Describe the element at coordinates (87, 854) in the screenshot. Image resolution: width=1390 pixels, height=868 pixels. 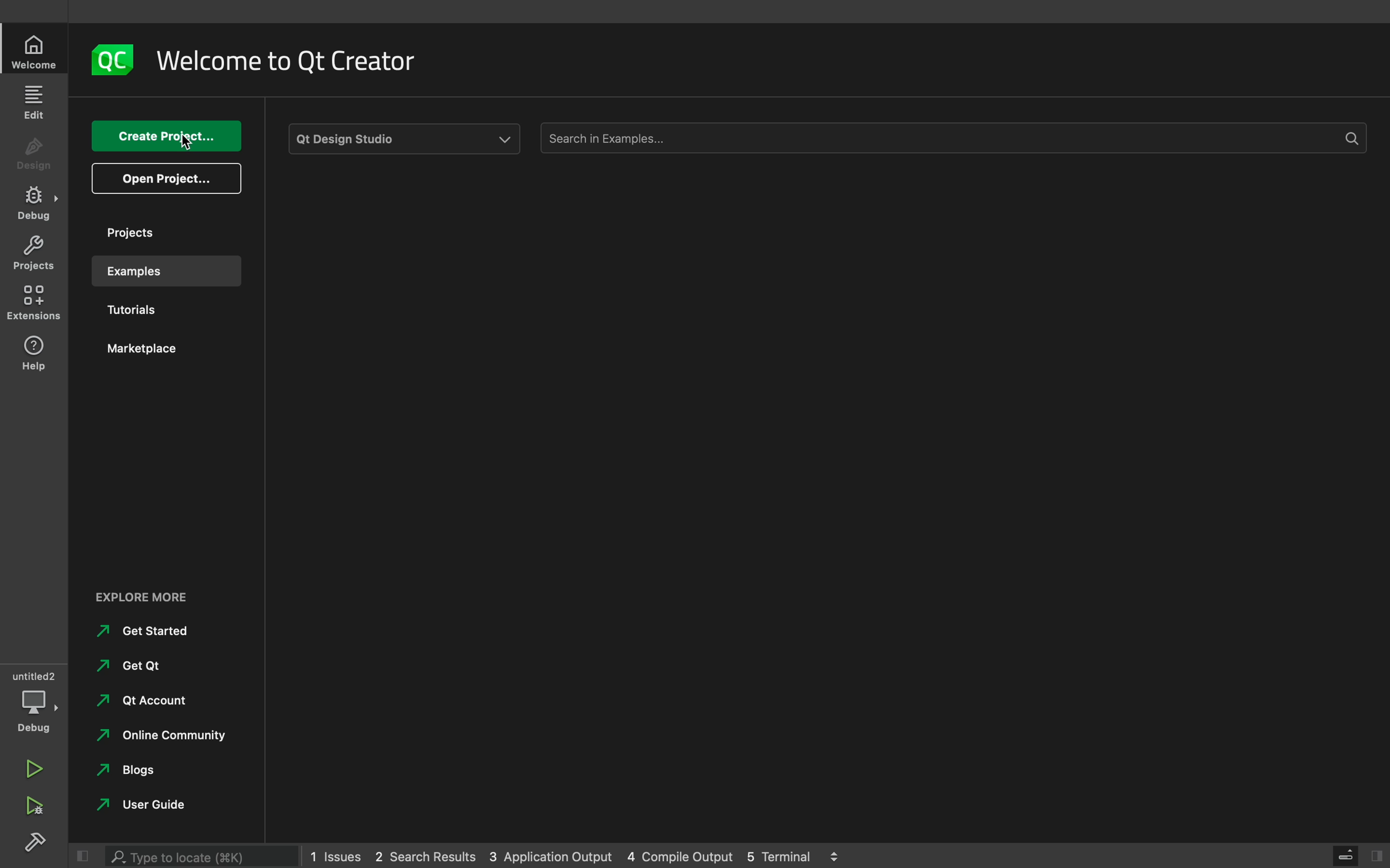
I see `close slide bar` at that location.